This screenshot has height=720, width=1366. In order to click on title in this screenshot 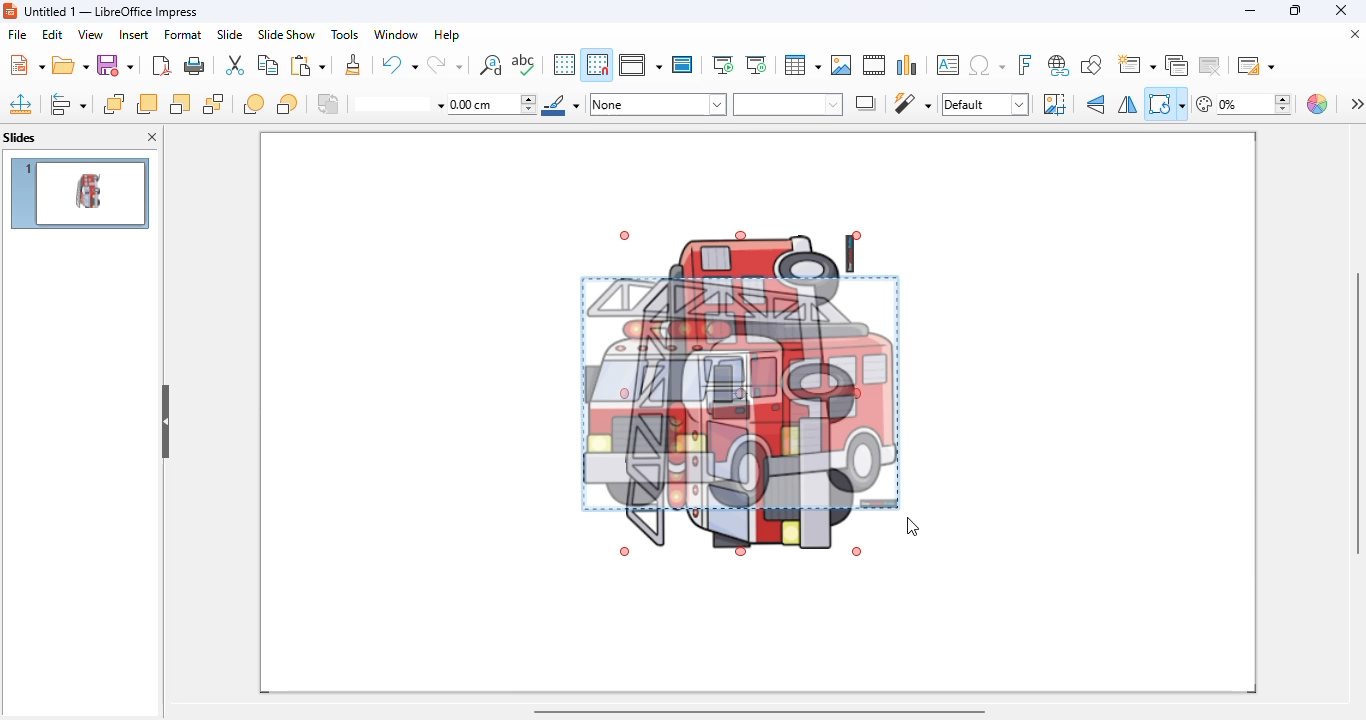, I will do `click(111, 12)`.